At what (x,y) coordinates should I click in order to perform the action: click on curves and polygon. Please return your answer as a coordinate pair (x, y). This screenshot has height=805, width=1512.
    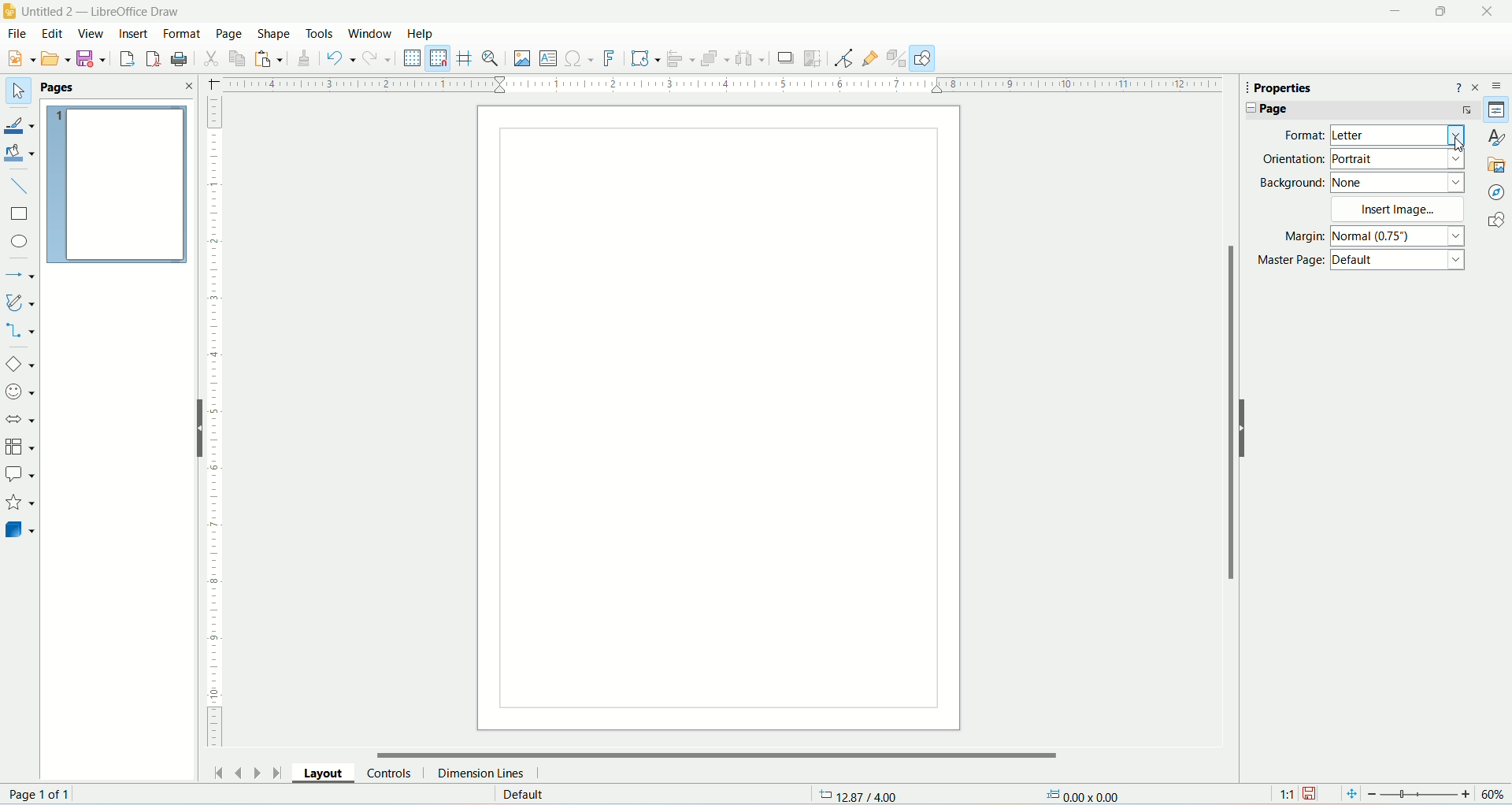
    Looking at the image, I should click on (20, 302).